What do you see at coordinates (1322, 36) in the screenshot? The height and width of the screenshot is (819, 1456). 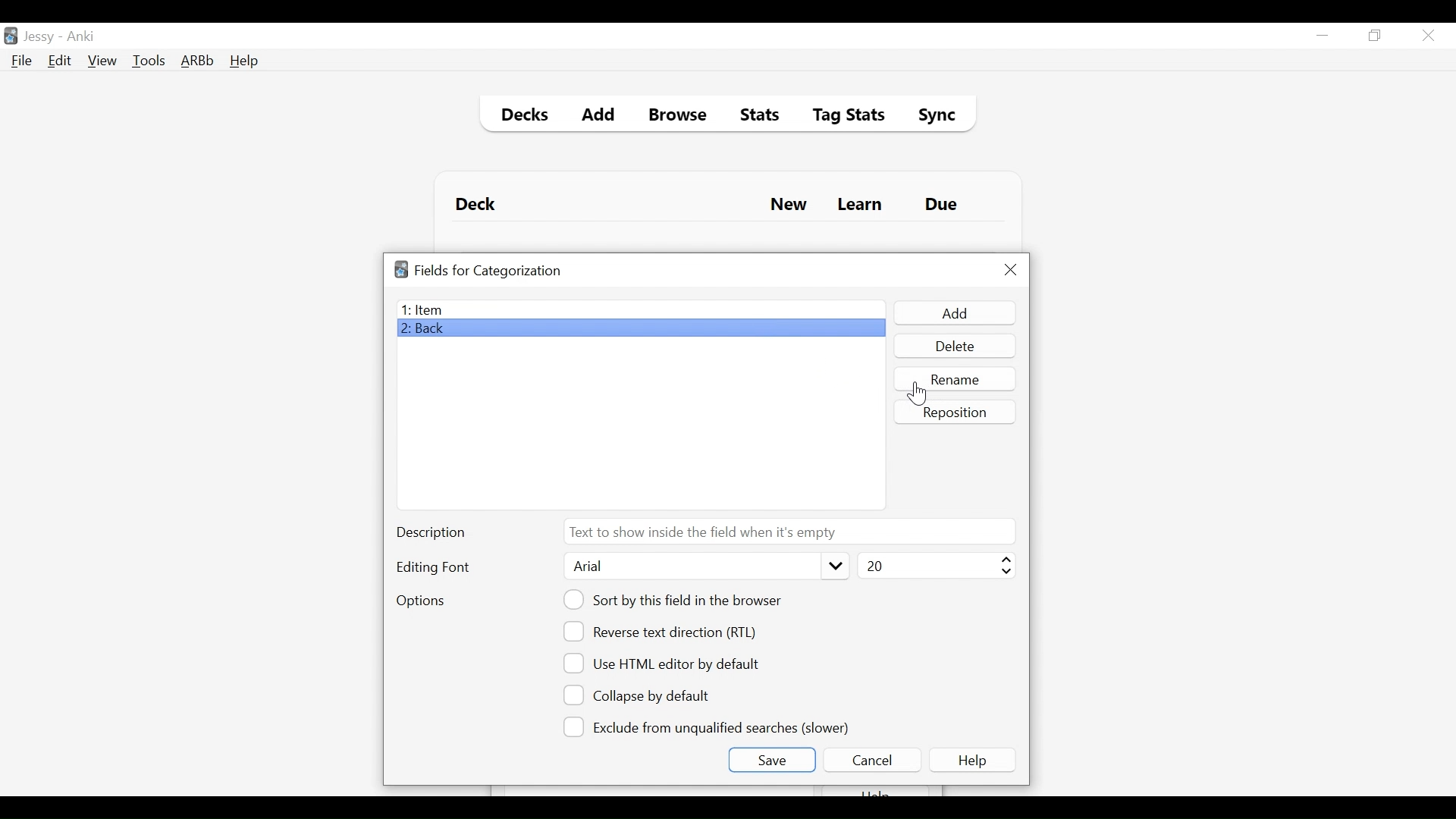 I see `minimize` at bounding box center [1322, 36].